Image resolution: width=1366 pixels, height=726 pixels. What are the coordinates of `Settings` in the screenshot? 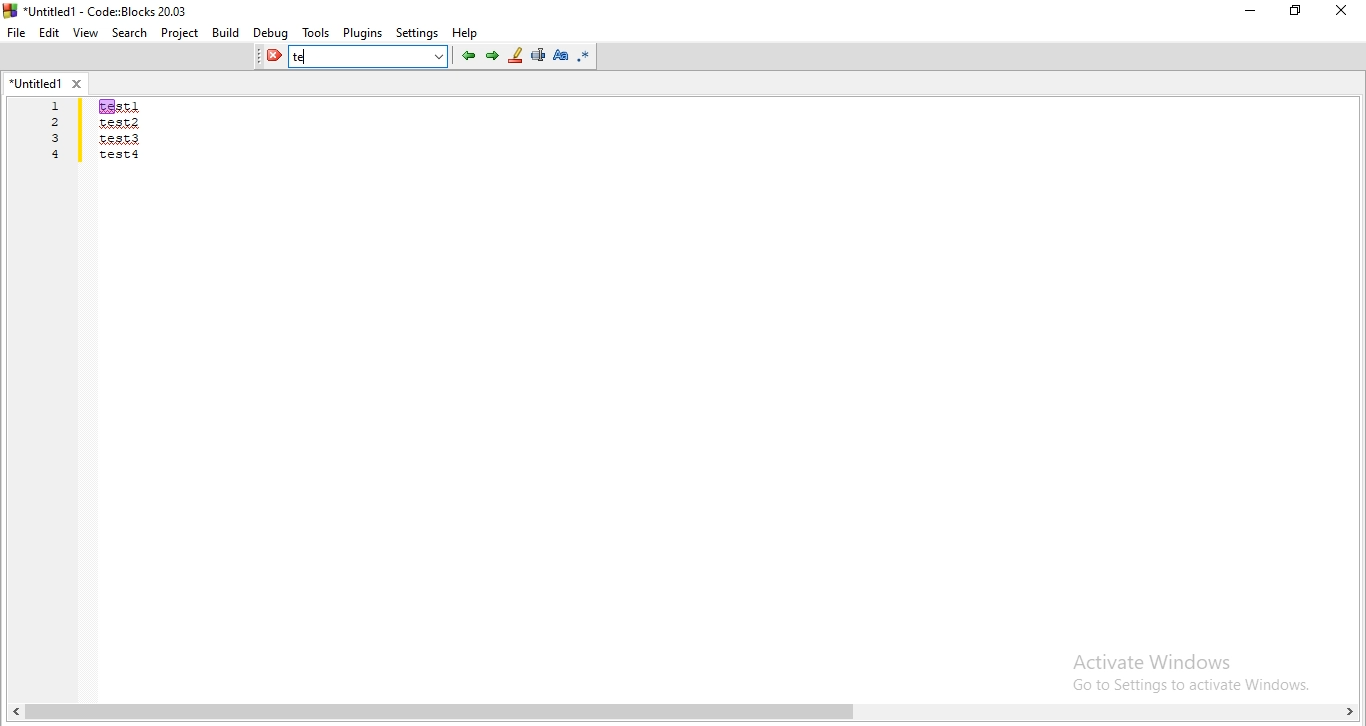 It's located at (418, 34).